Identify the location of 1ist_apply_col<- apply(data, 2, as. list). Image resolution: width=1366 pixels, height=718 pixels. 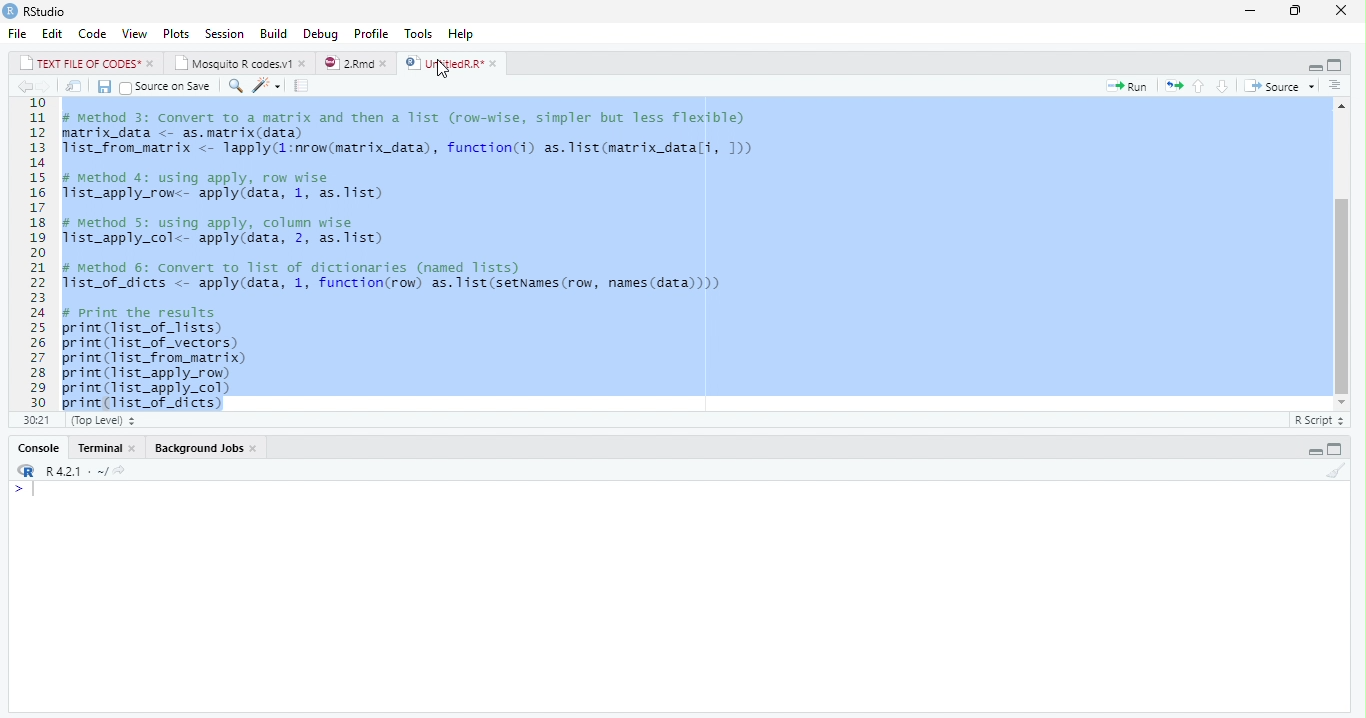
(233, 239).